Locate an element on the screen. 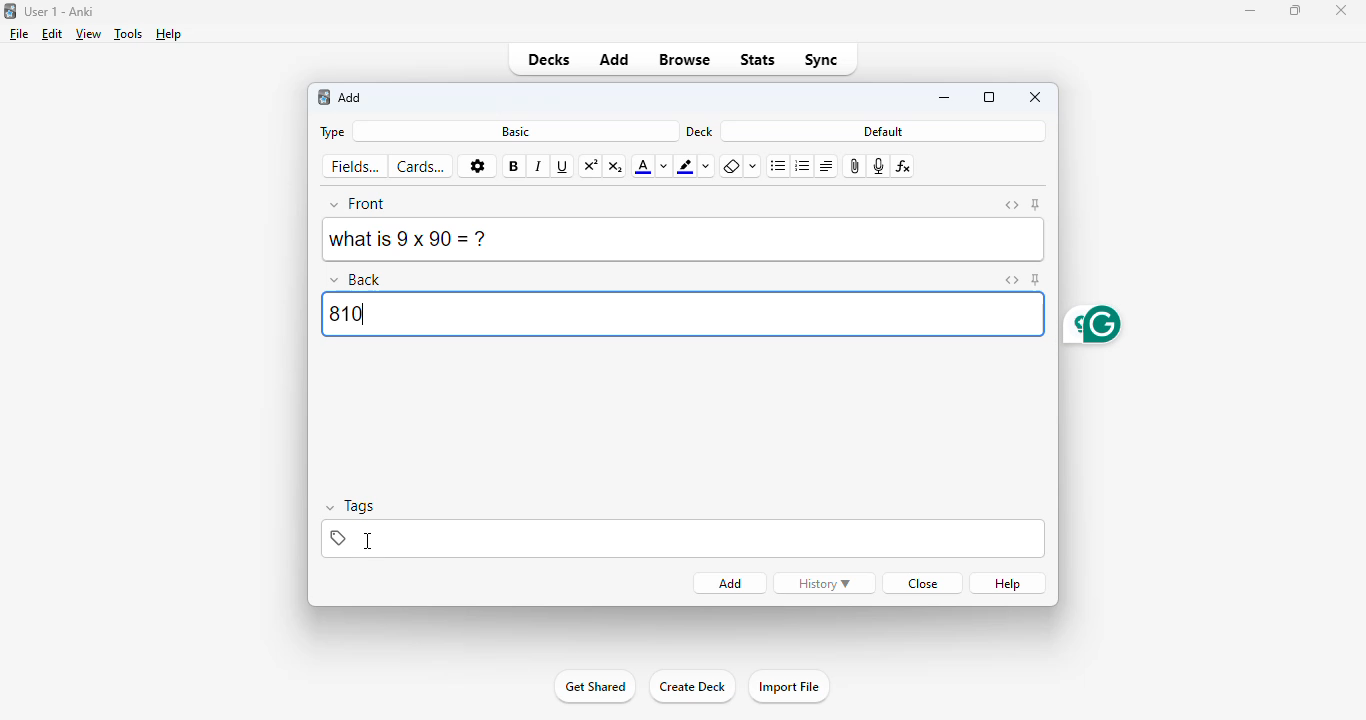  unordered list is located at coordinates (779, 167).